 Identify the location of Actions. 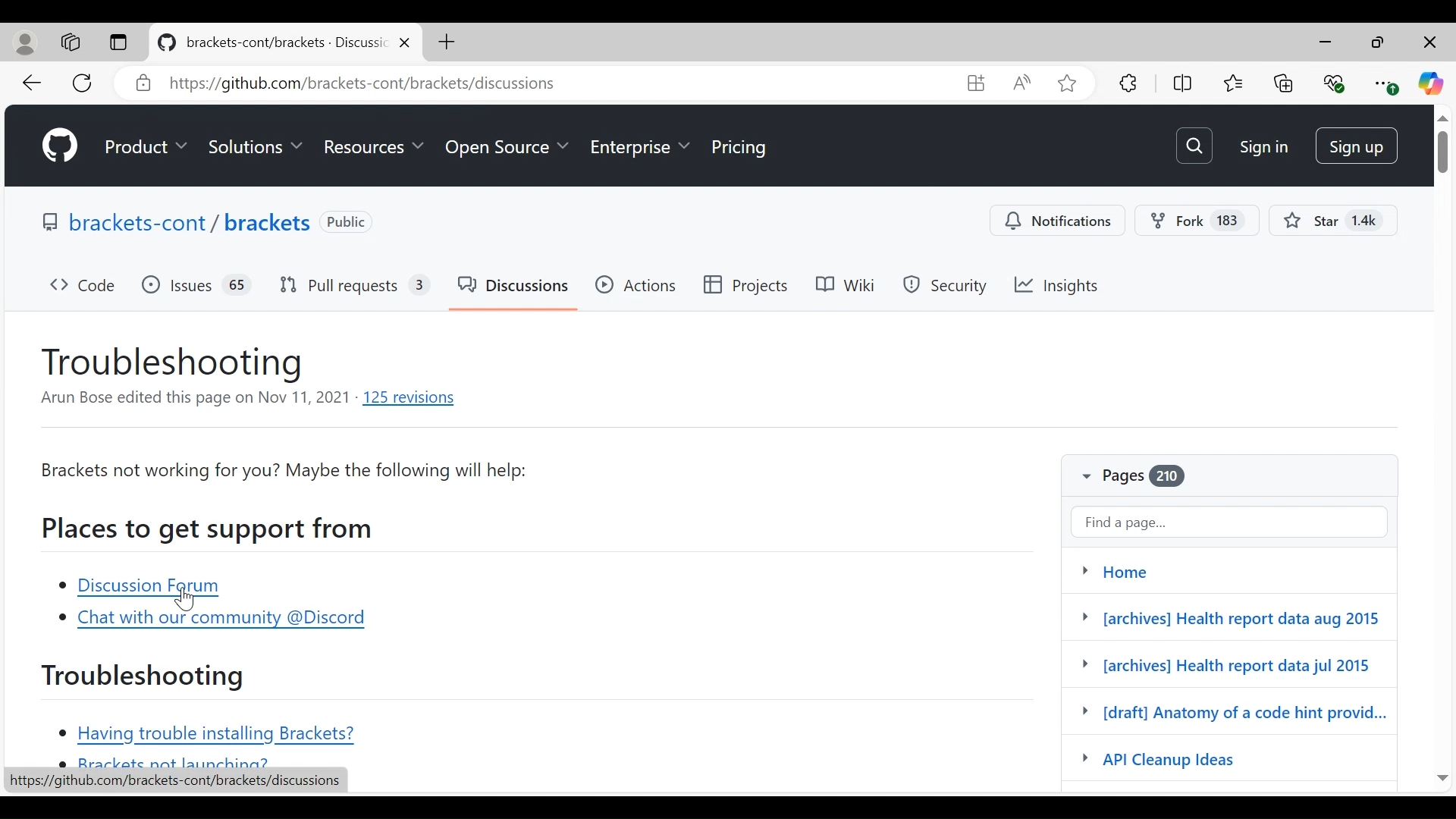
(636, 285).